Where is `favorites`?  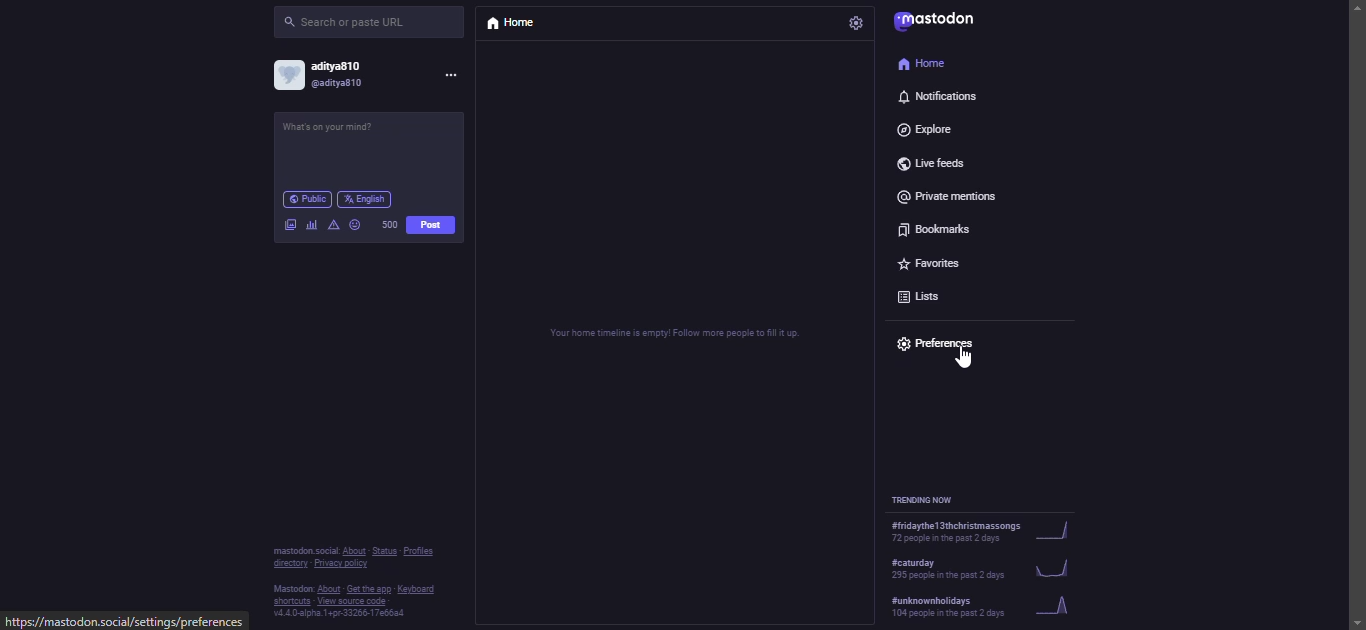 favorites is located at coordinates (931, 260).